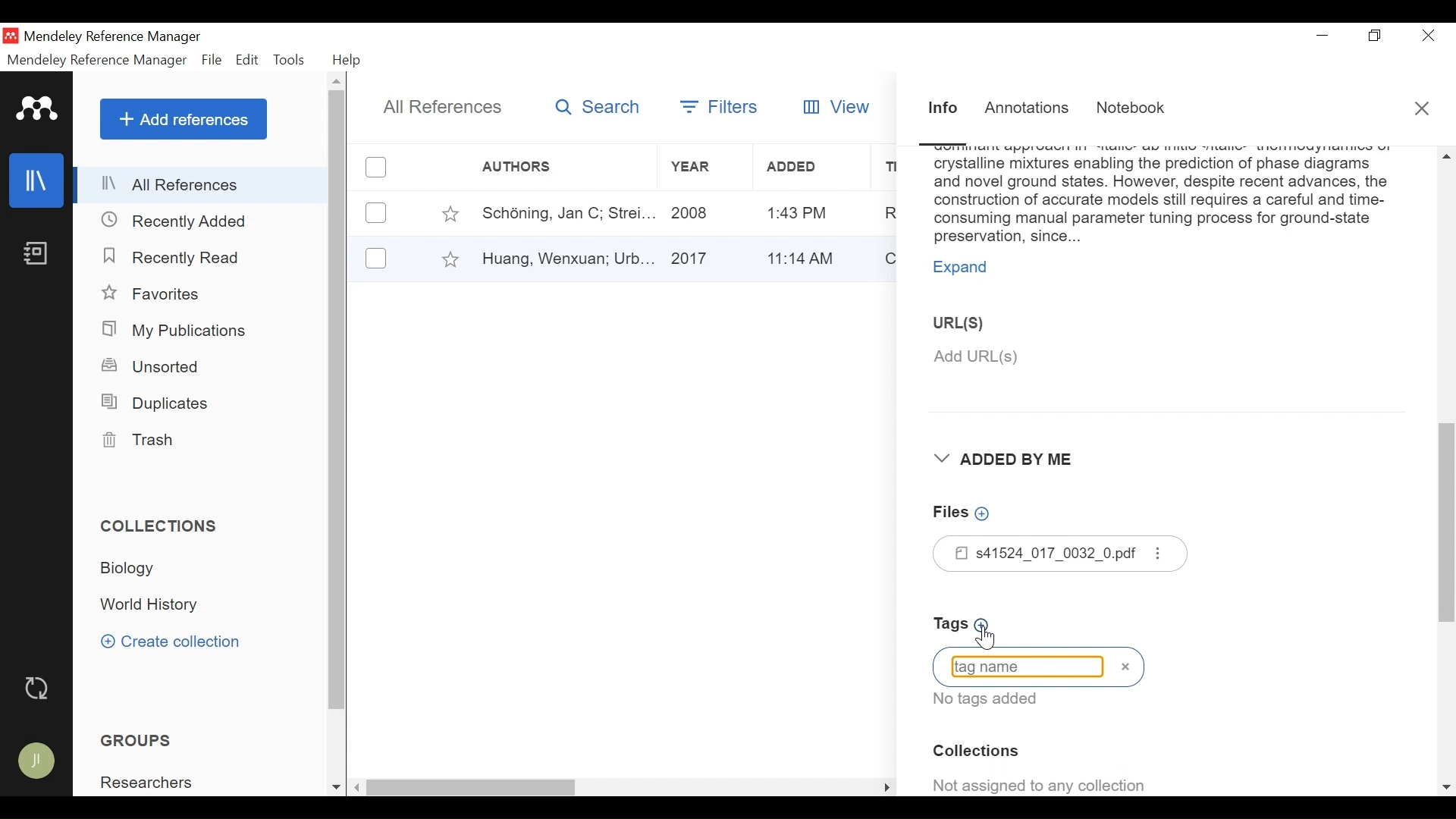  I want to click on Author, so click(542, 167).